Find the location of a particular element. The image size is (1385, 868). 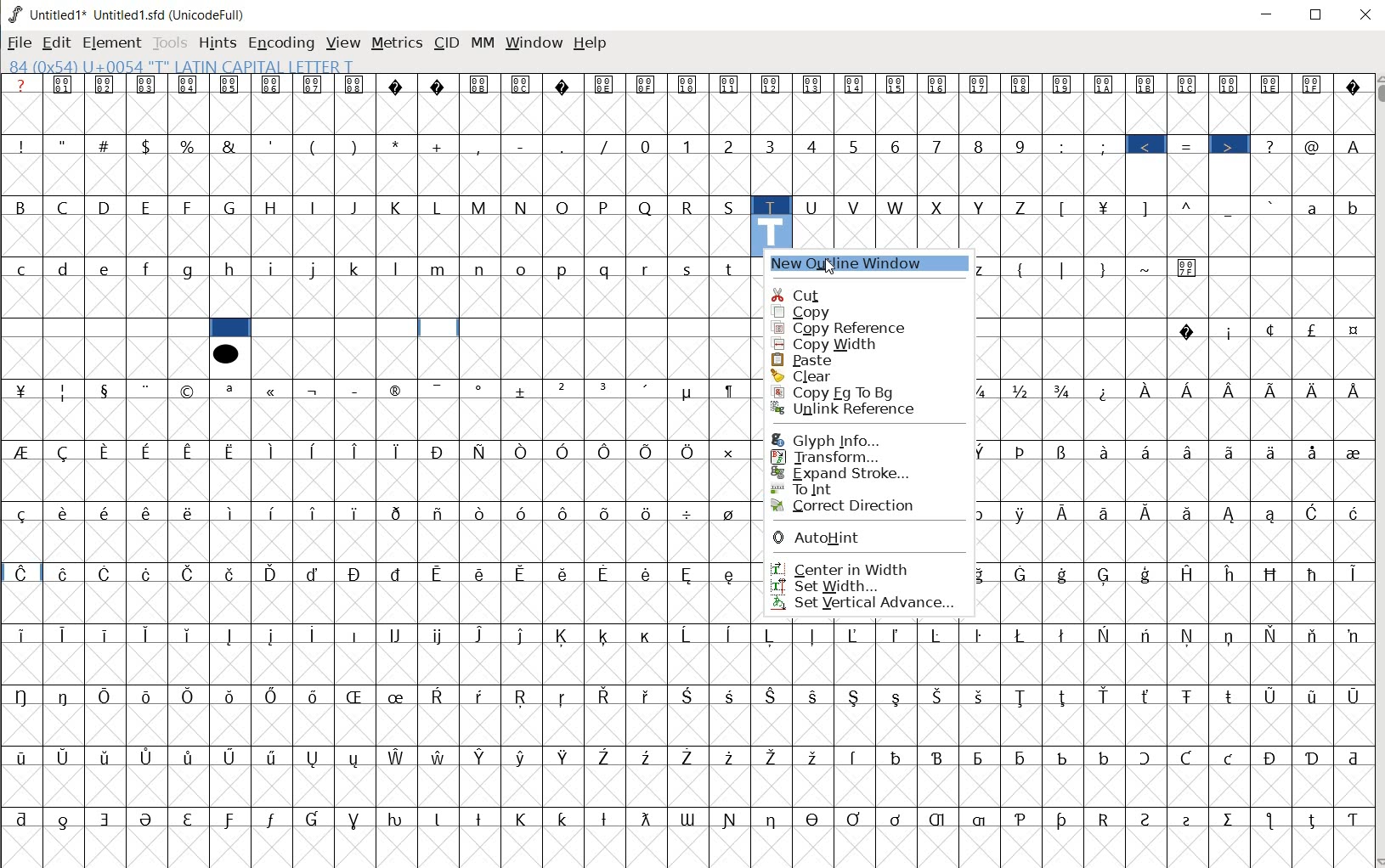

C is located at coordinates (66, 206).